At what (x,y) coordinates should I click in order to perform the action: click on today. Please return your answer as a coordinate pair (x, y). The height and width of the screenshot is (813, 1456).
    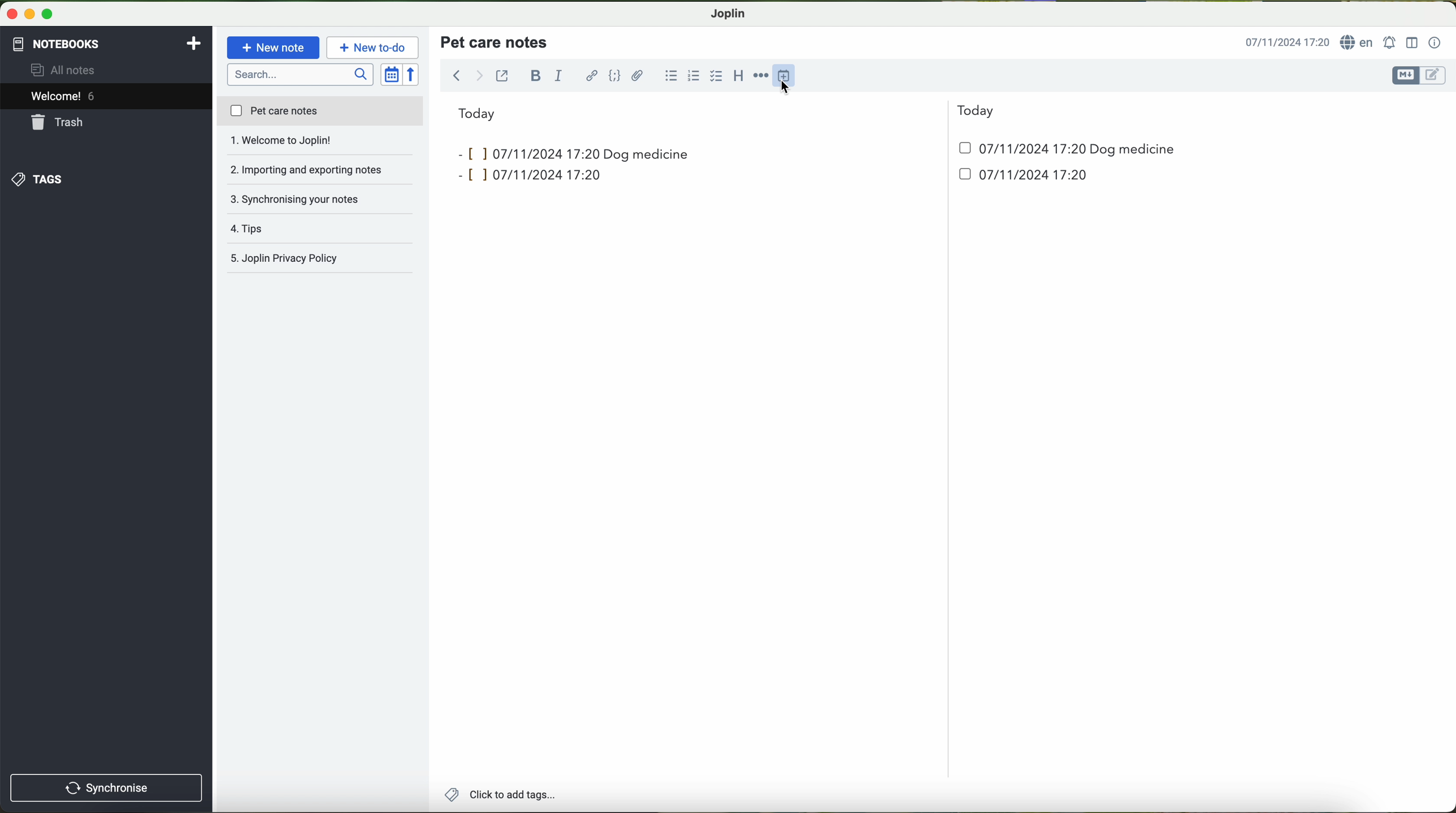
    Looking at the image, I should click on (726, 112).